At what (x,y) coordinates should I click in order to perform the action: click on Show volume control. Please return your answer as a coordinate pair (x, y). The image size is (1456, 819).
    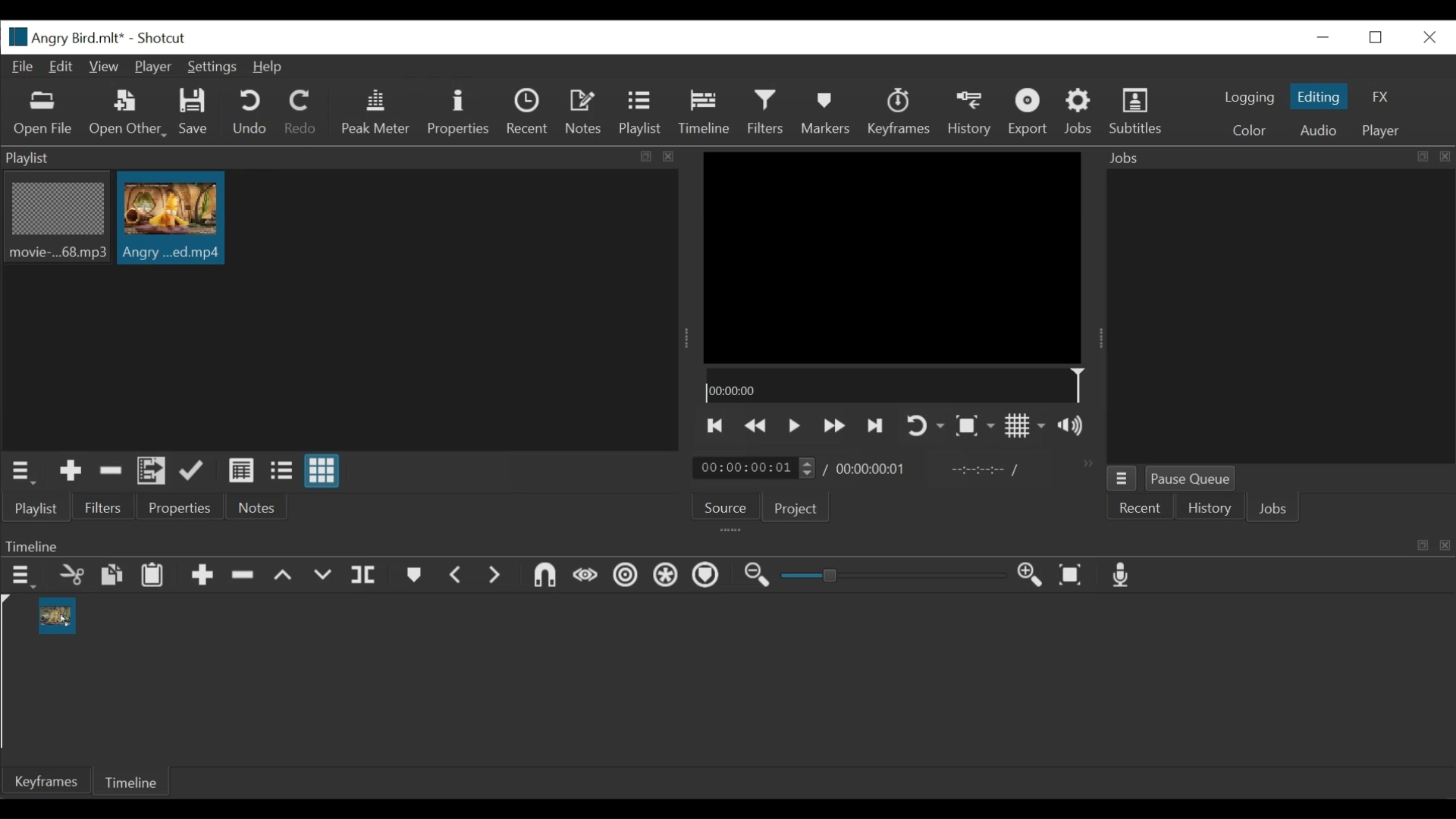
    Looking at the image, I should click on (1076, 426).